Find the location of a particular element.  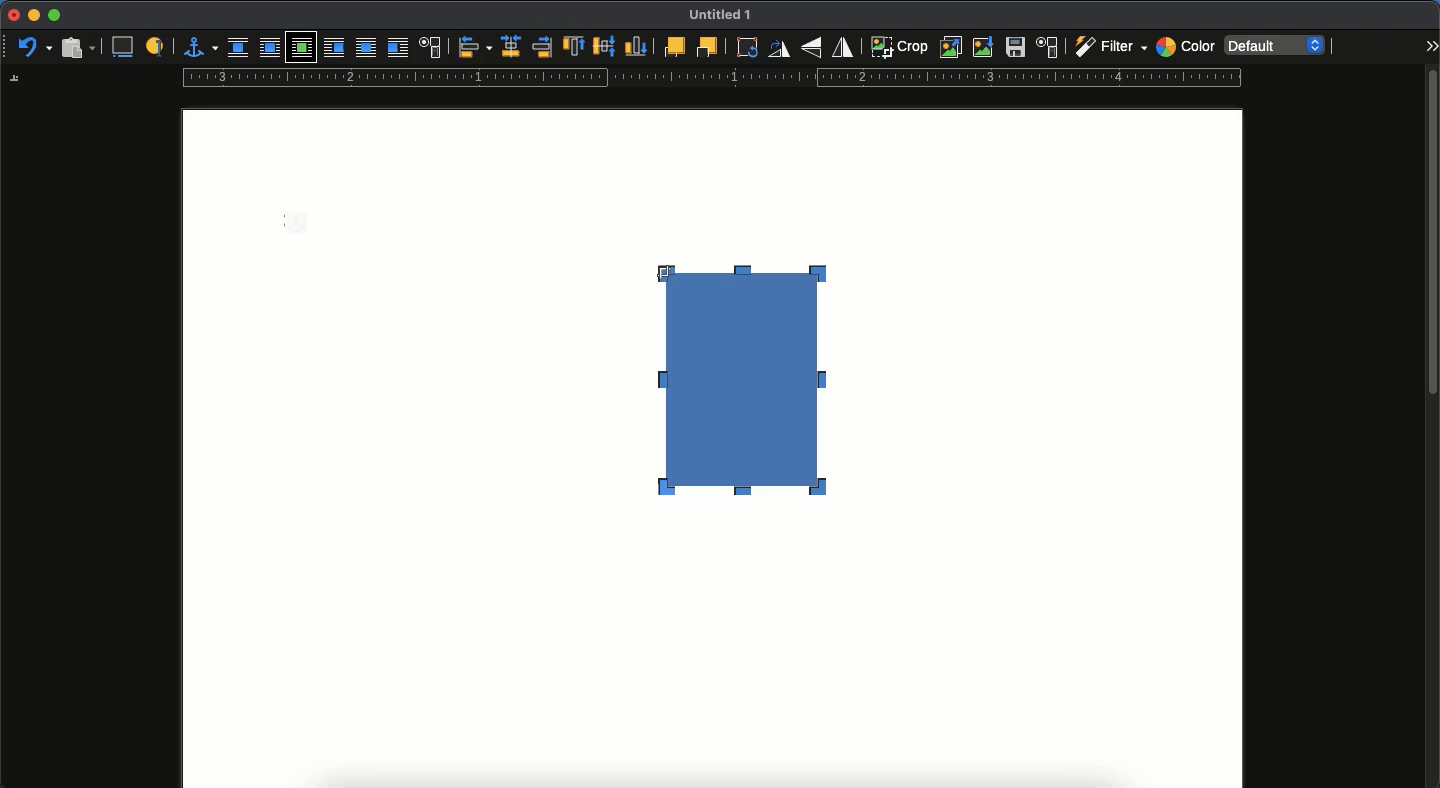

top to anchor is located at coordinates (573, 48).